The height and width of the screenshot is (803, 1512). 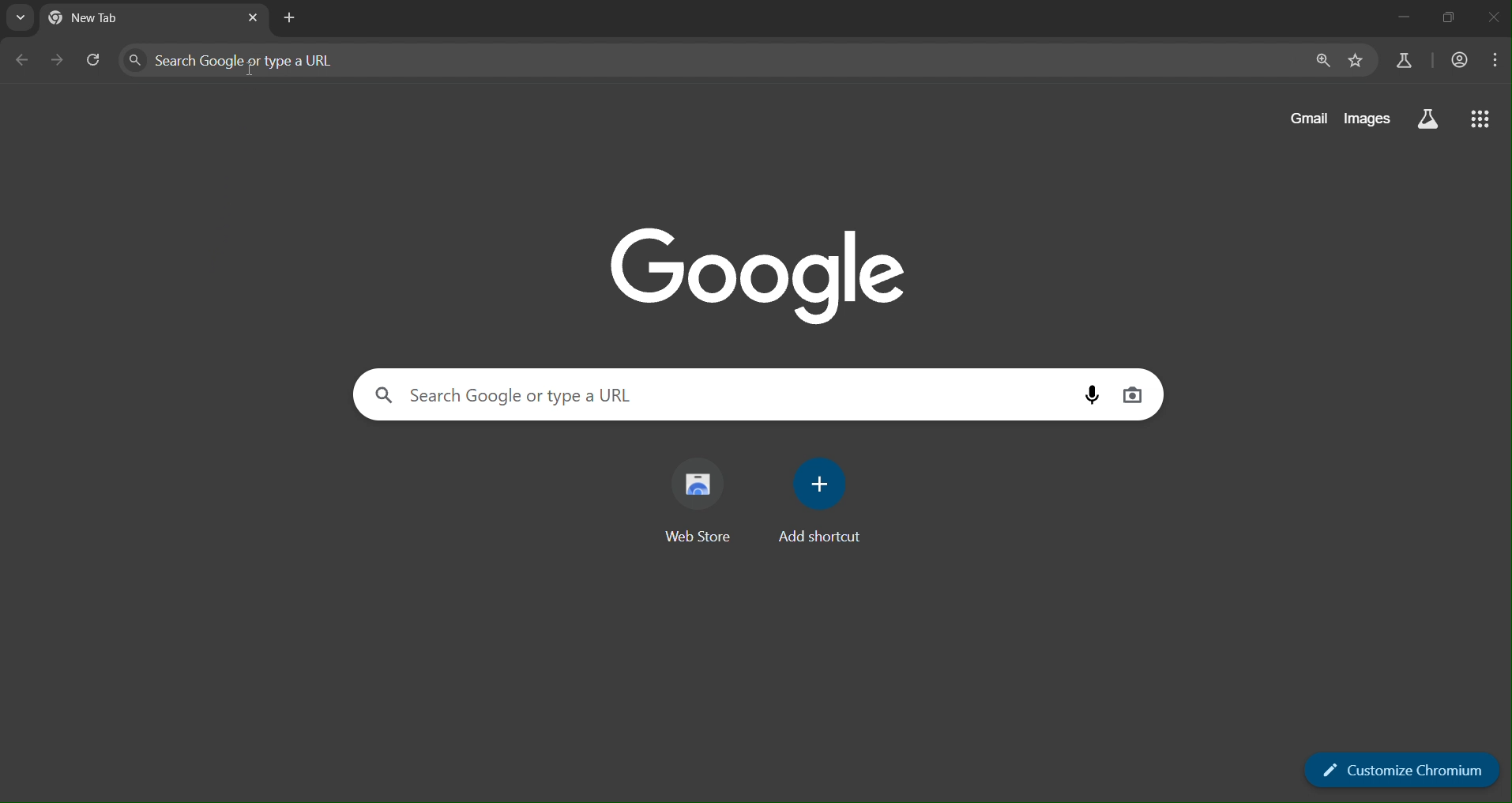 What do you see at coordinates (20, 18) in the screenshot?
I see `search tab` at bounding box center [20, 18].